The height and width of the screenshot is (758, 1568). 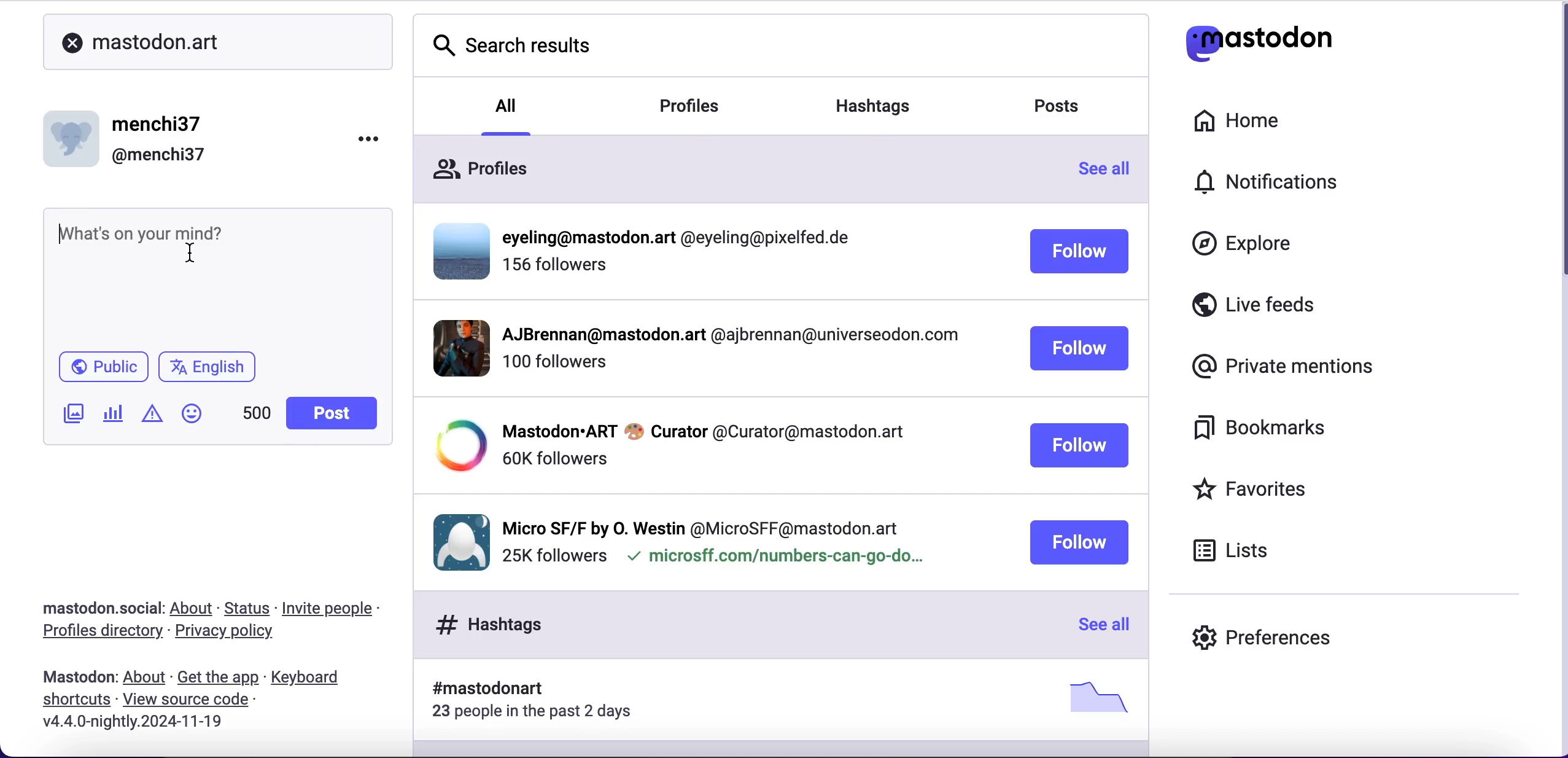 What do you see at coordinates (747, 168) in the screenshot?
I see `profiles` at bounding box center [747, 168].